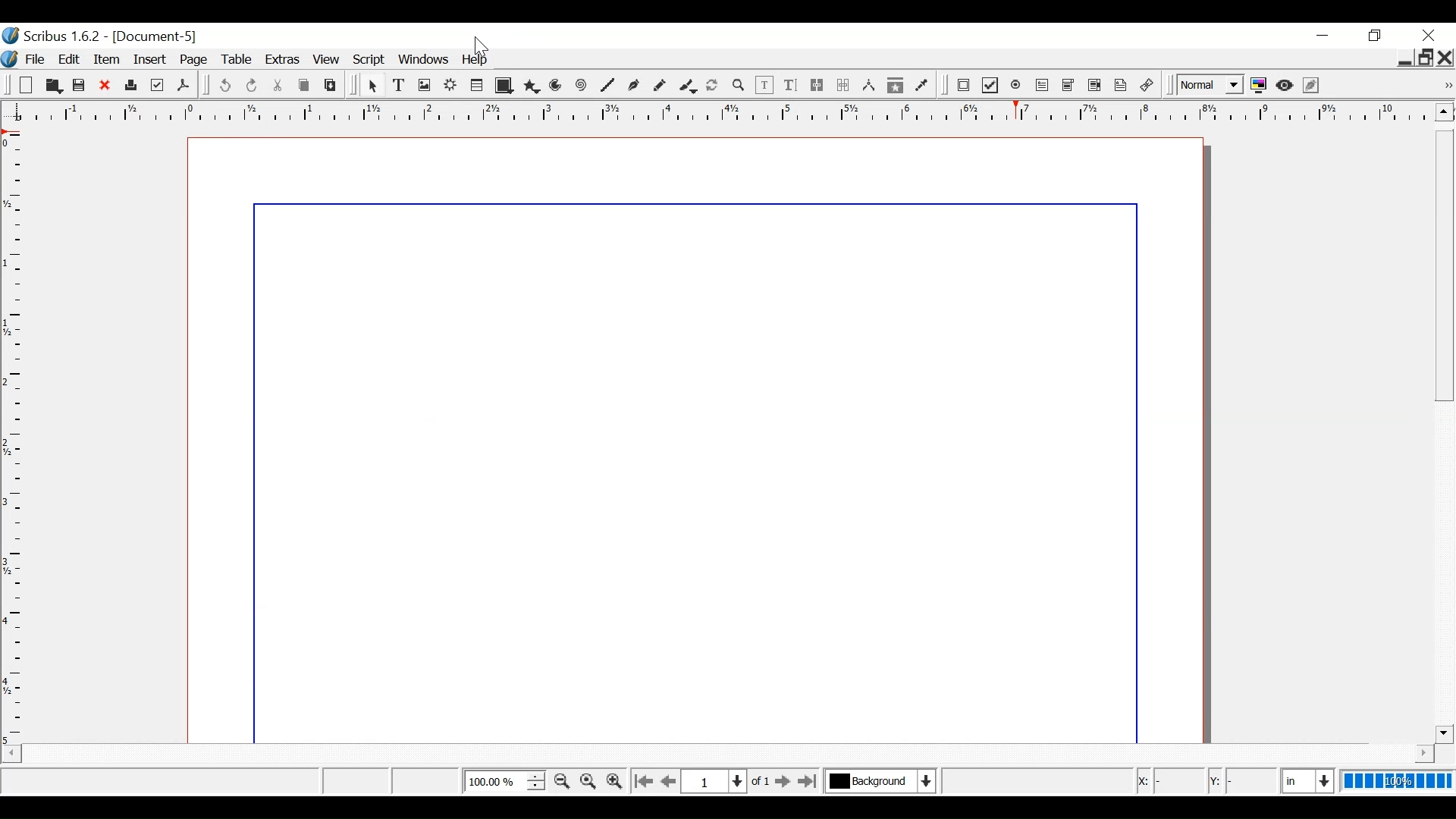 This screenshot has height=819, width=1456. Describe the element at coordinates (1171, 781) in the screenshot. I see `X Coordinate` at that location.